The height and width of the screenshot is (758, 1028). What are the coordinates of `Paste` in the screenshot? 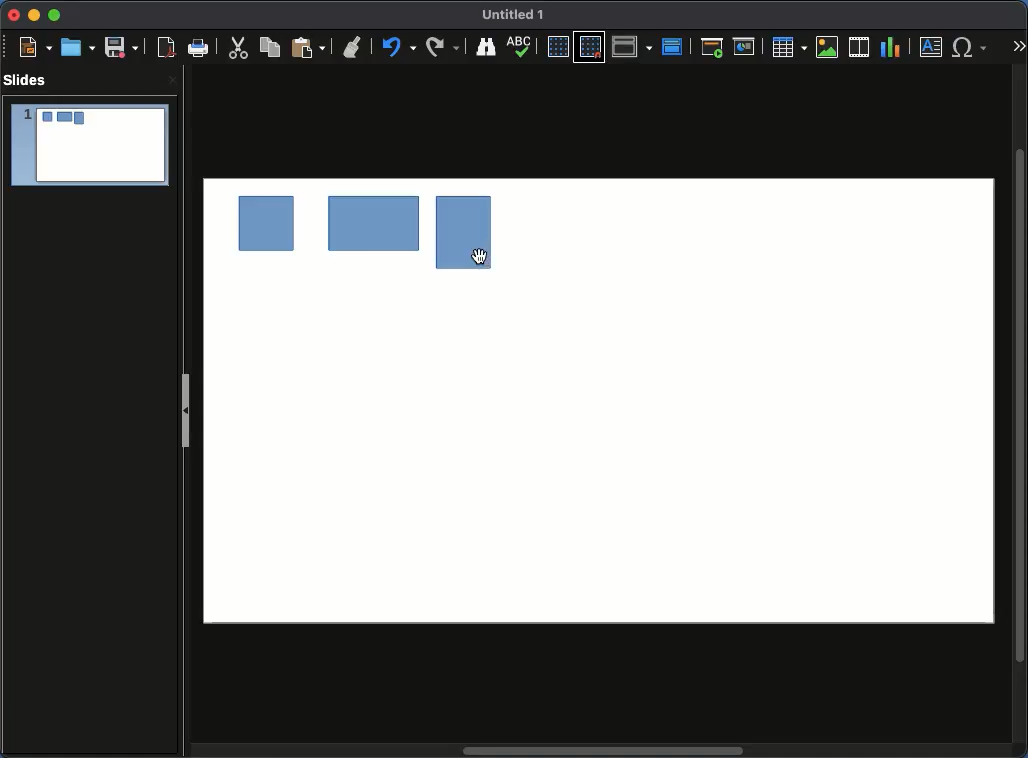 It's located at (306, 48).